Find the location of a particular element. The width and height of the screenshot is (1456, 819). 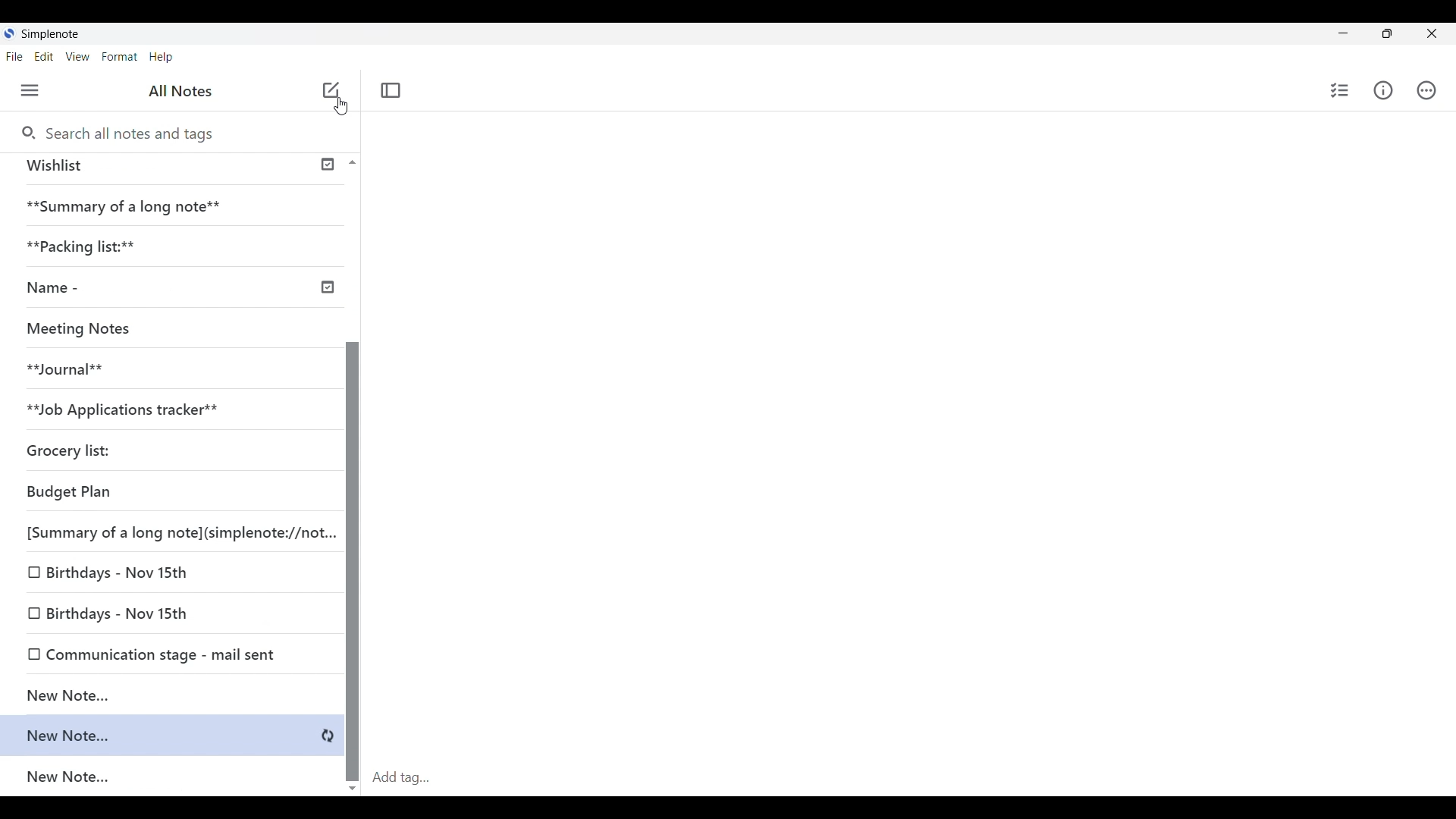

restore is located at coordinates (1400, 36).